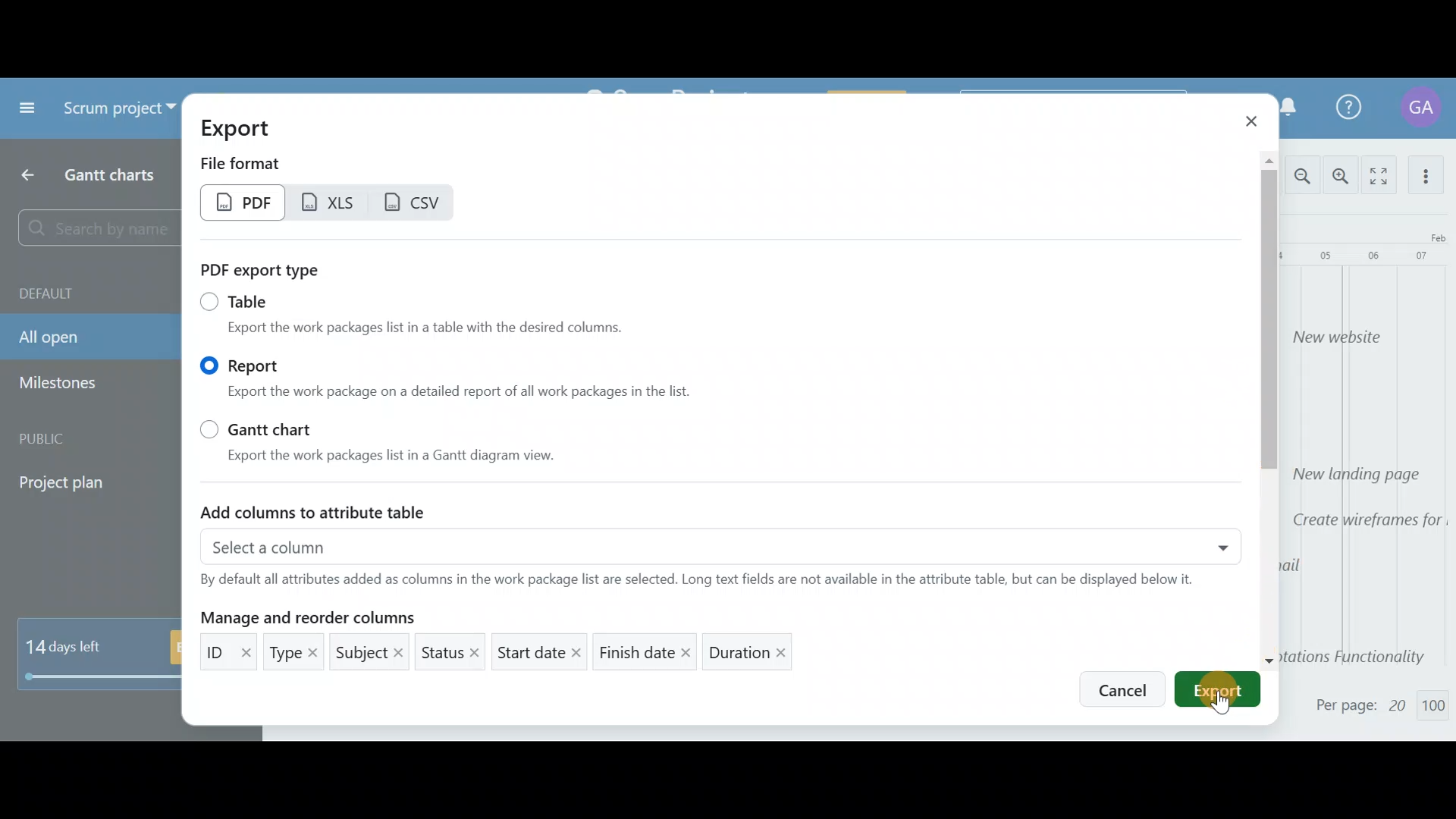  What do you see at coordinates (1437, 701) in the screenshot?
I see `100` at bounding box center [1437, 701].